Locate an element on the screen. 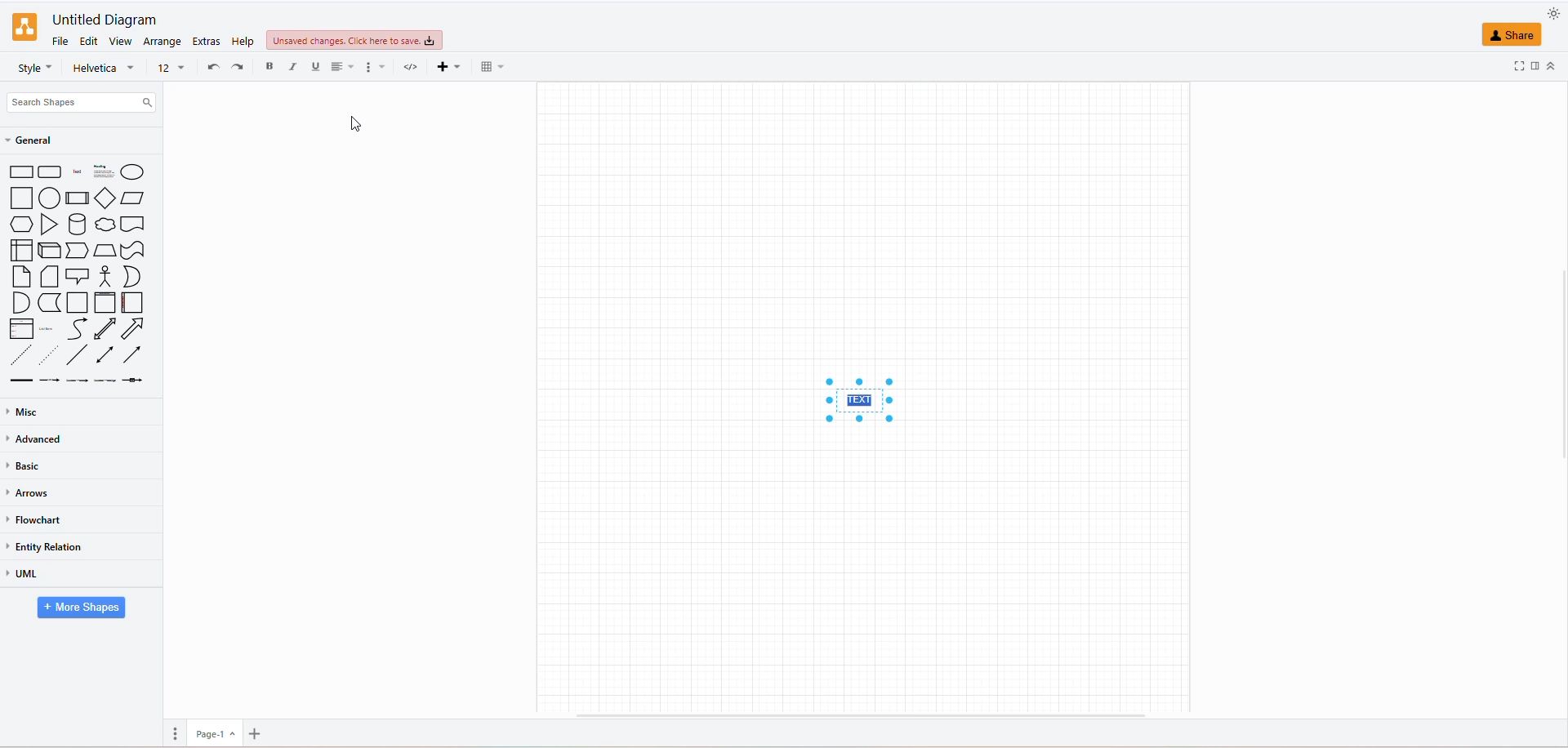 Image resolution: width=1568 pixels, height=748 pixels. collapse is located at coordinates (1553, 65).